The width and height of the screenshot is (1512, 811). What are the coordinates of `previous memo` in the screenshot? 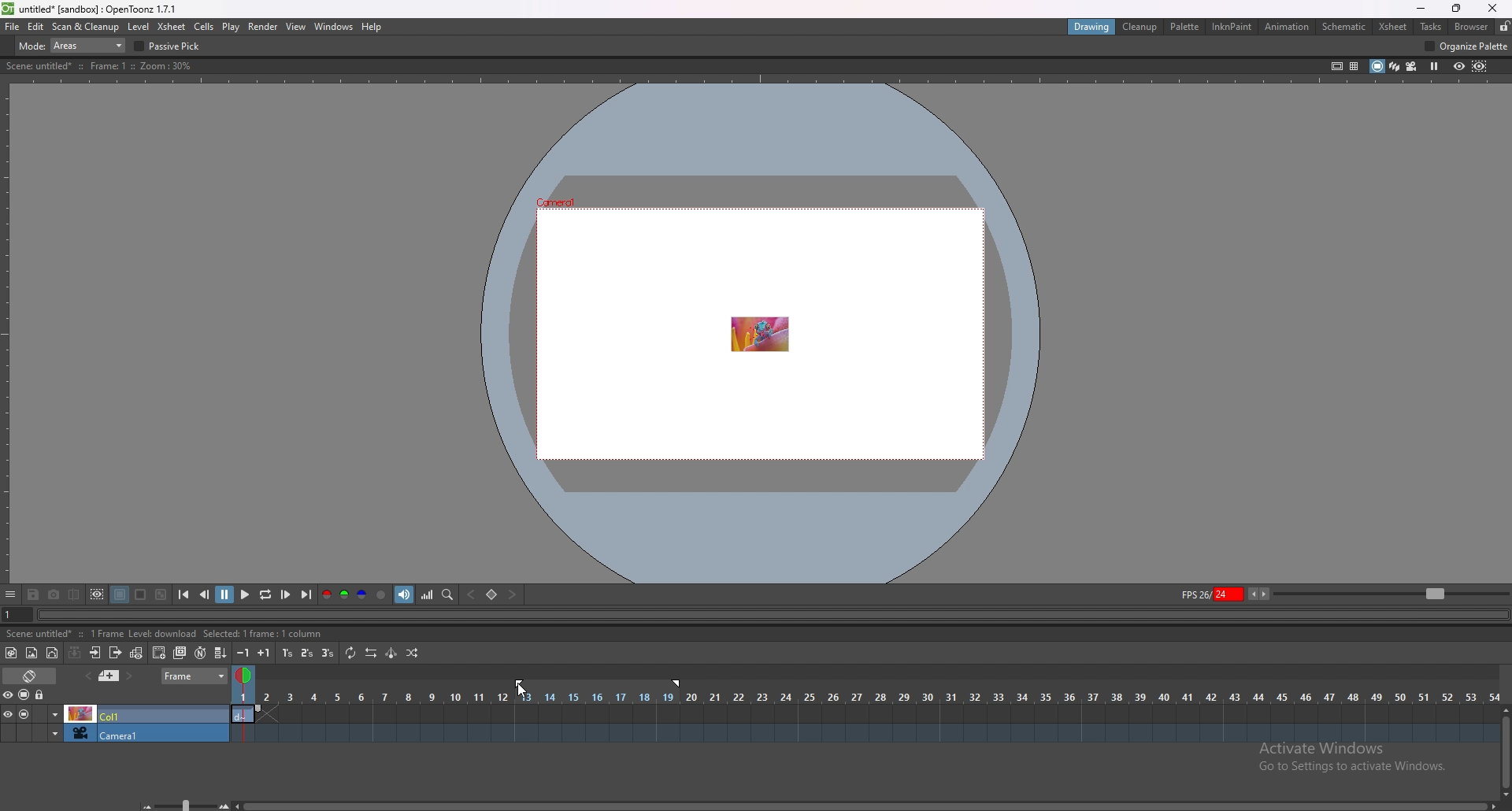 It's located at (109, 676).